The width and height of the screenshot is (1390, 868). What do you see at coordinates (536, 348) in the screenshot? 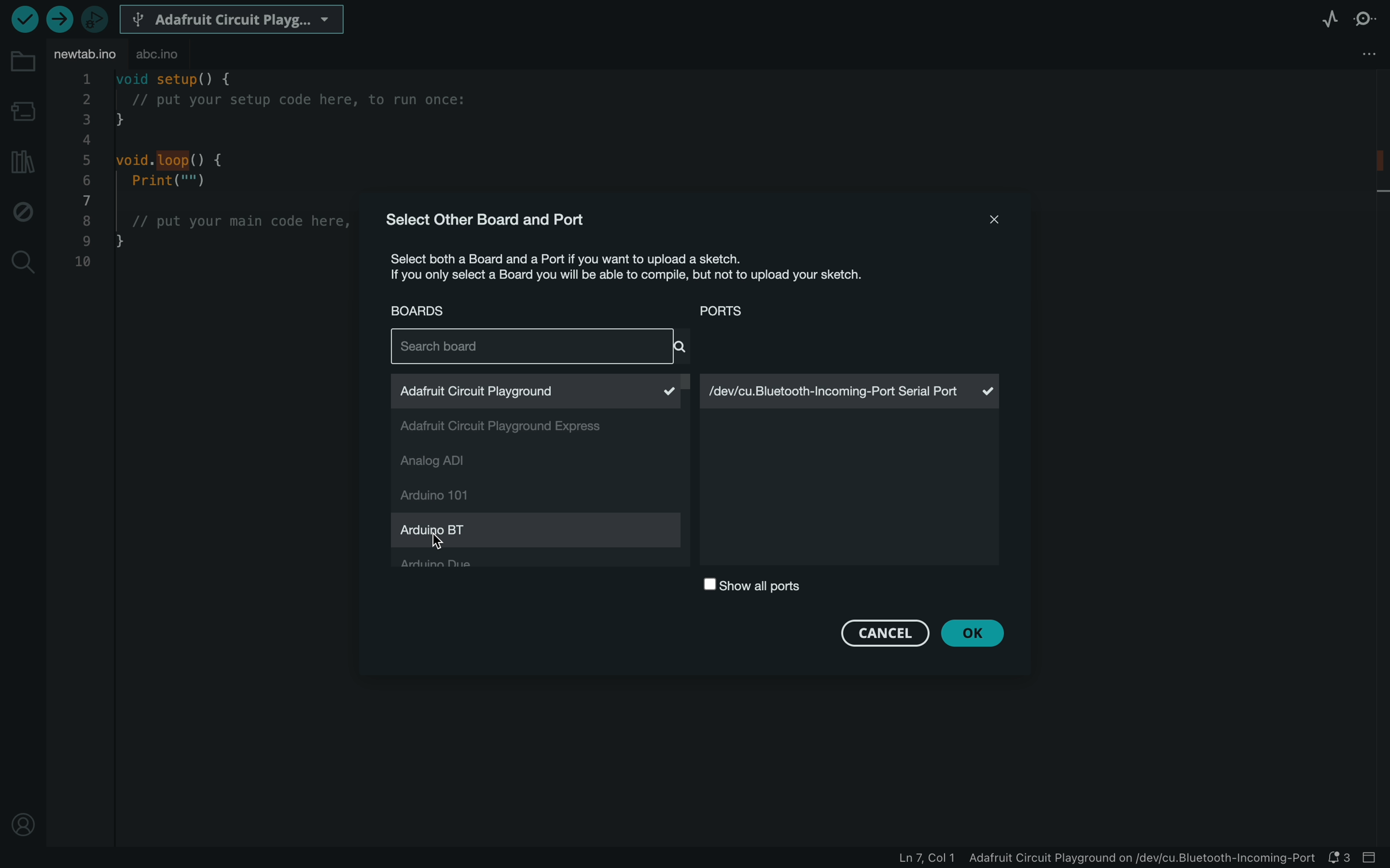
I see `search board` at bounding box center [536, 348].